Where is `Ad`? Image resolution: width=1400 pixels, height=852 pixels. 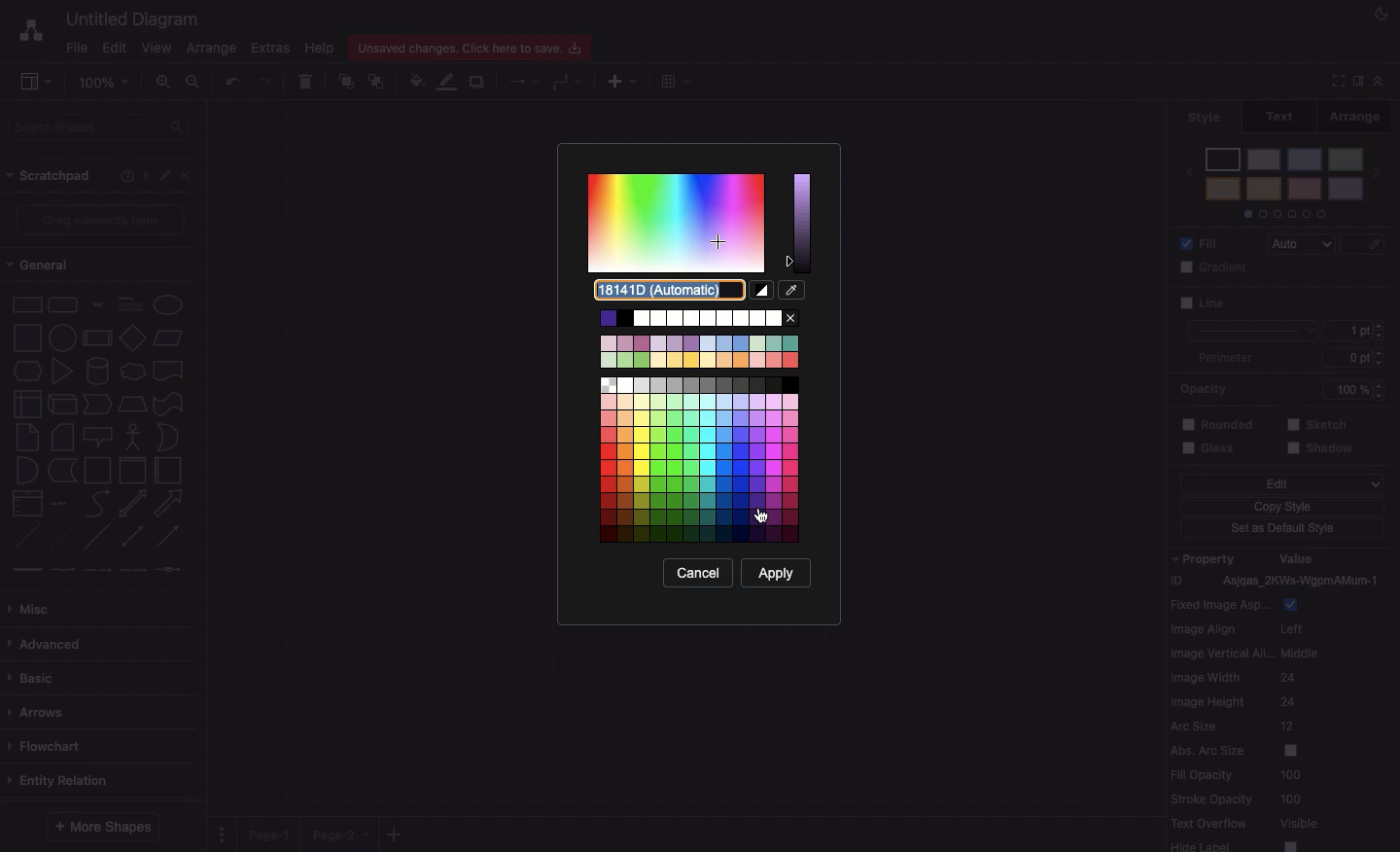 Ad is located at coordinates (624, 79).